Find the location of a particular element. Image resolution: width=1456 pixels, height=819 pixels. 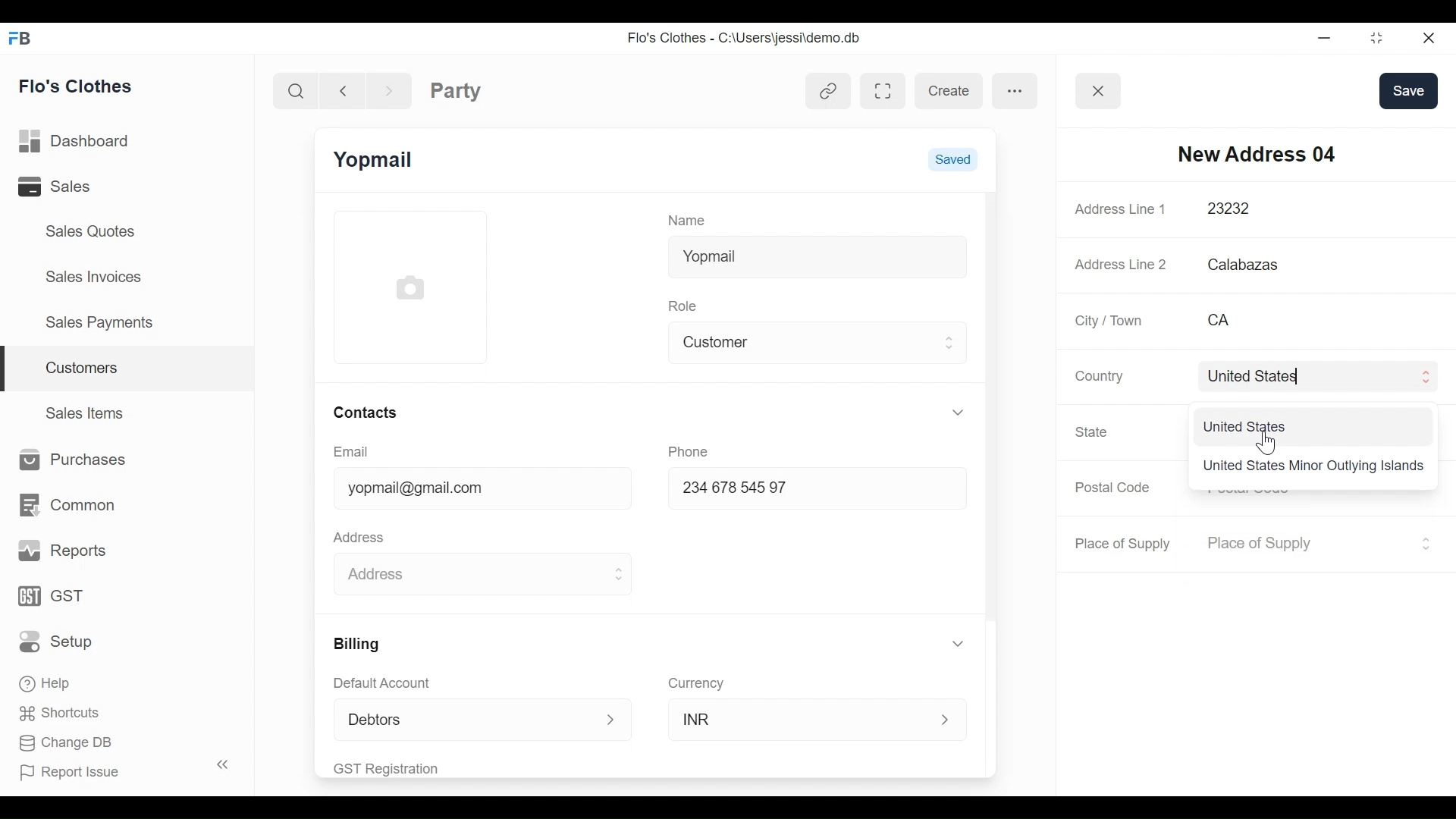

Flo's Clothes is located at coordinates (78, 86).